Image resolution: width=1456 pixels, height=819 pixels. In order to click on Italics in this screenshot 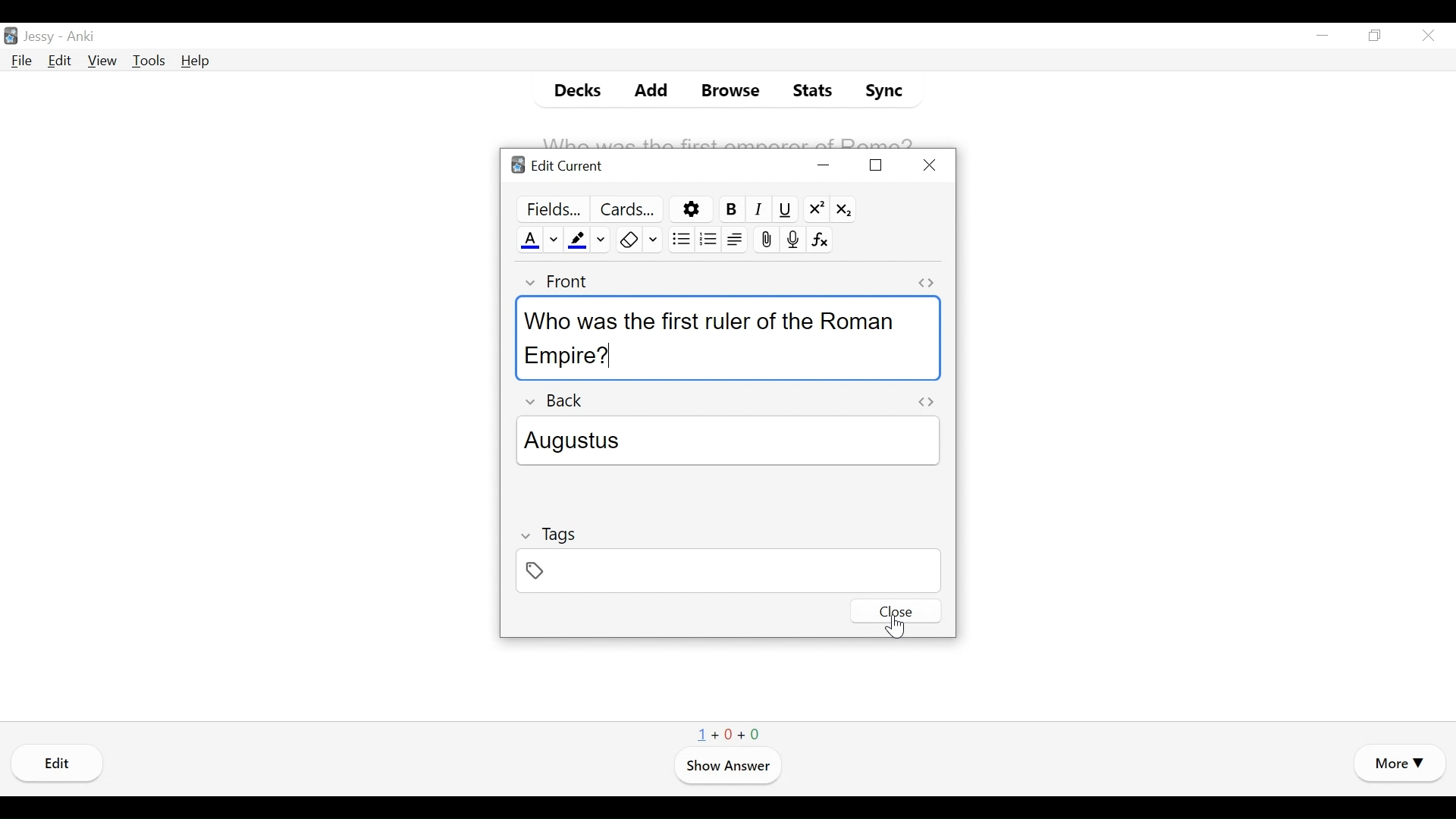, I will do `click(758, 209)`.